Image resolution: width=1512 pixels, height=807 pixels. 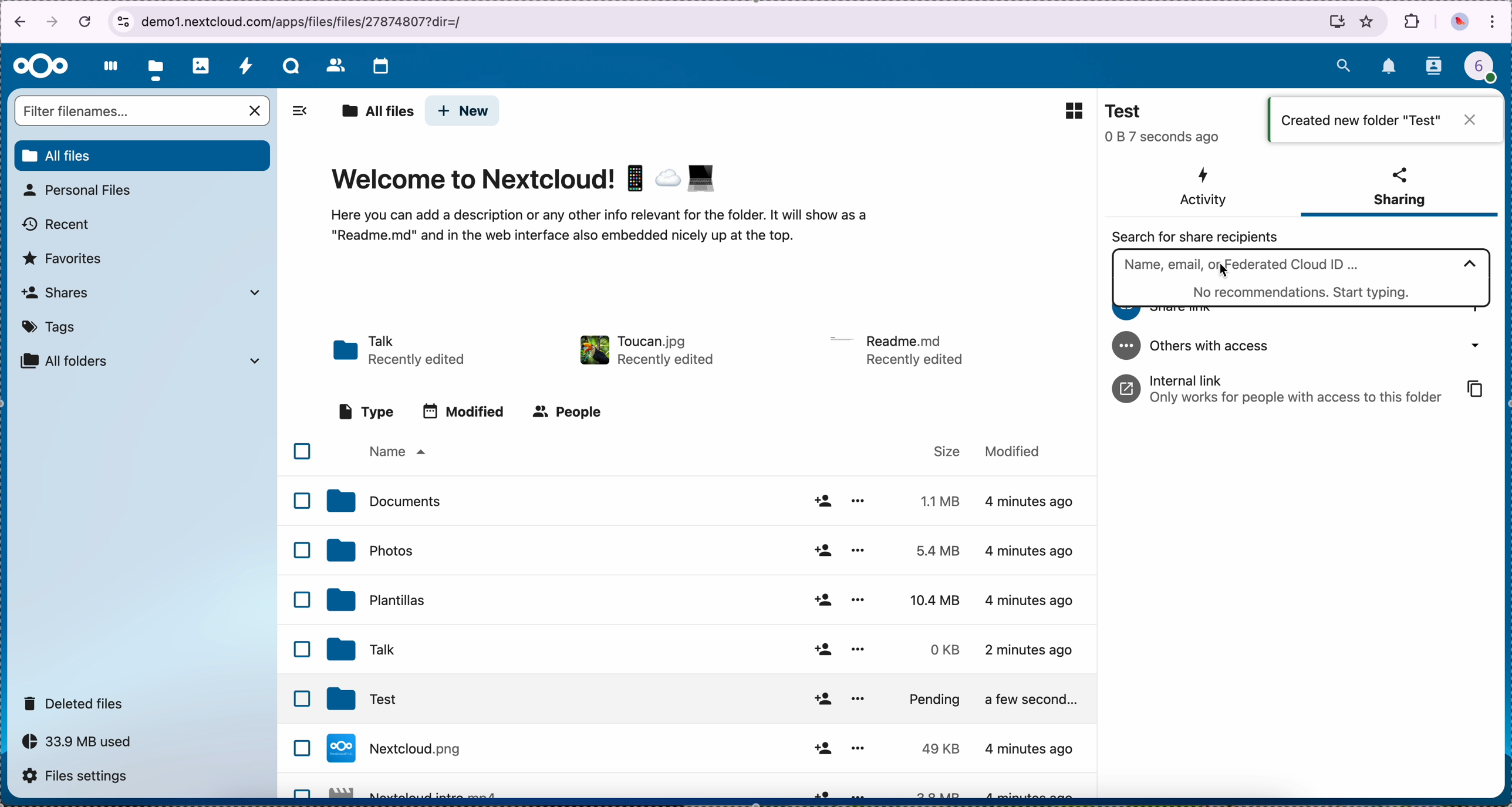 What do you see at coordinates (296, 115) in the screenshot?
I see `hide sidebar` at bounding box center [296, 115].